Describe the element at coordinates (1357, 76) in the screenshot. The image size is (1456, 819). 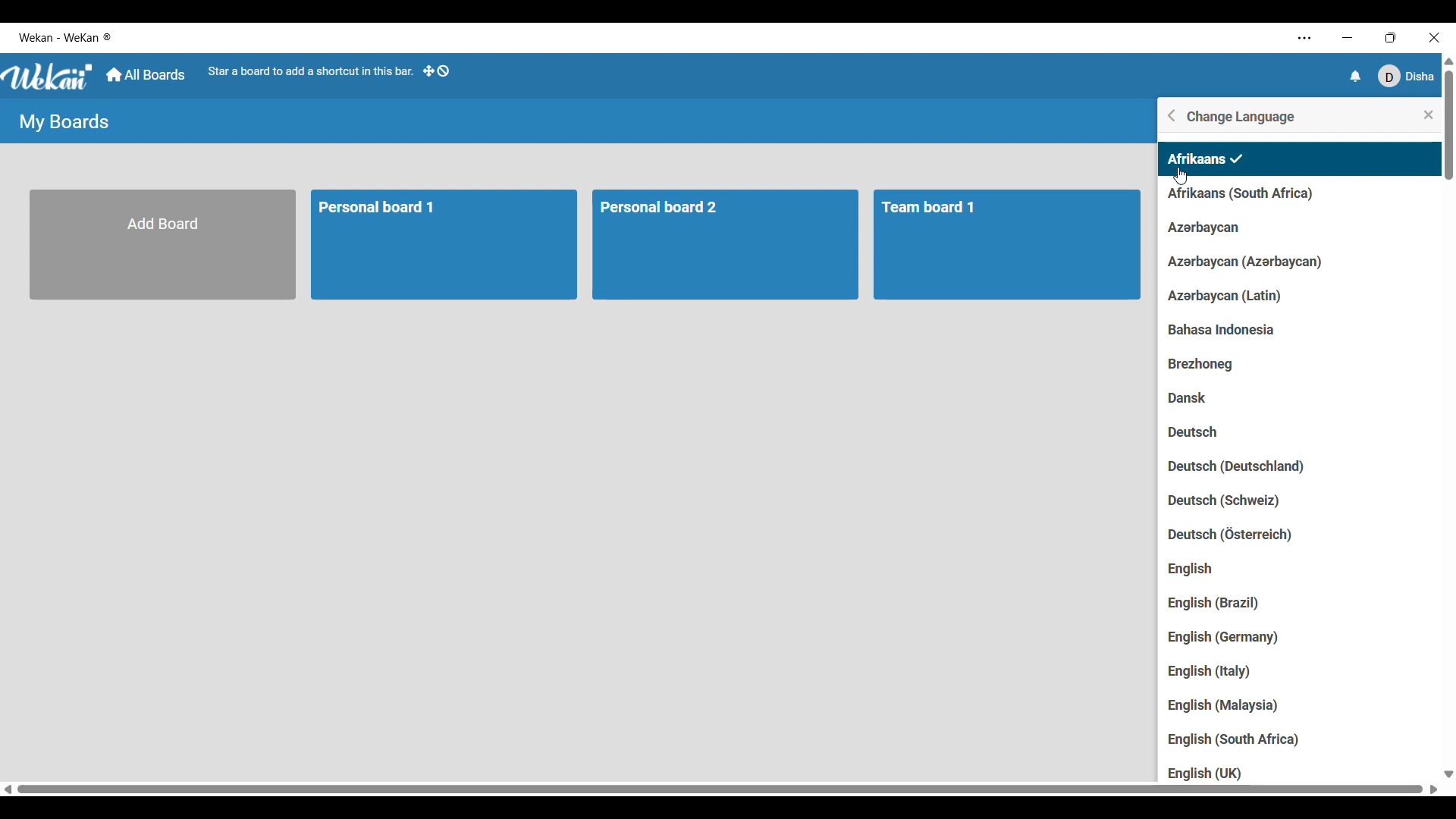
I see `Notifications` at that location.